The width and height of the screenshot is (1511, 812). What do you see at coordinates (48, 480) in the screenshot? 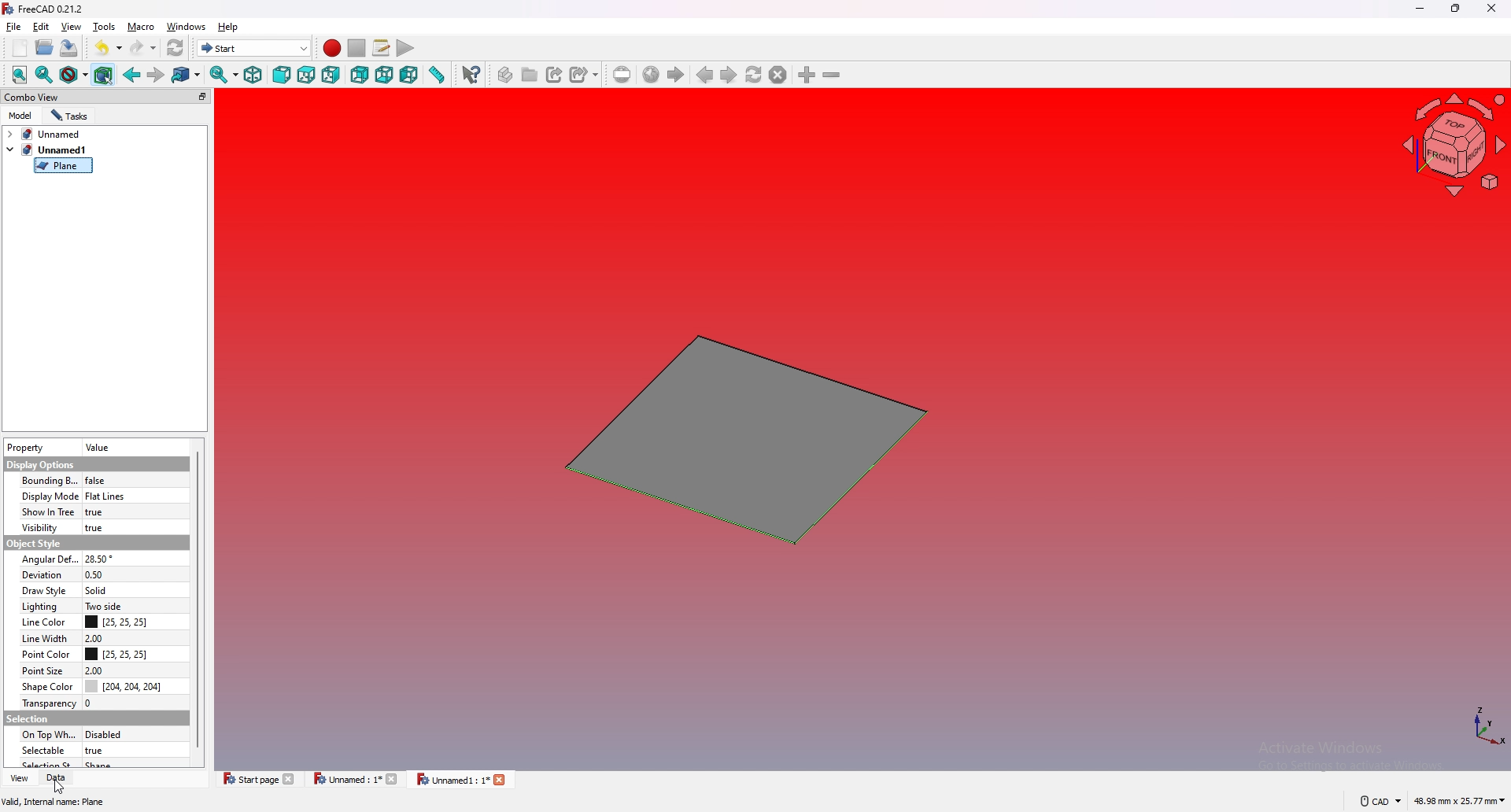
I see `bounding box` at bounding box center [48, 480].